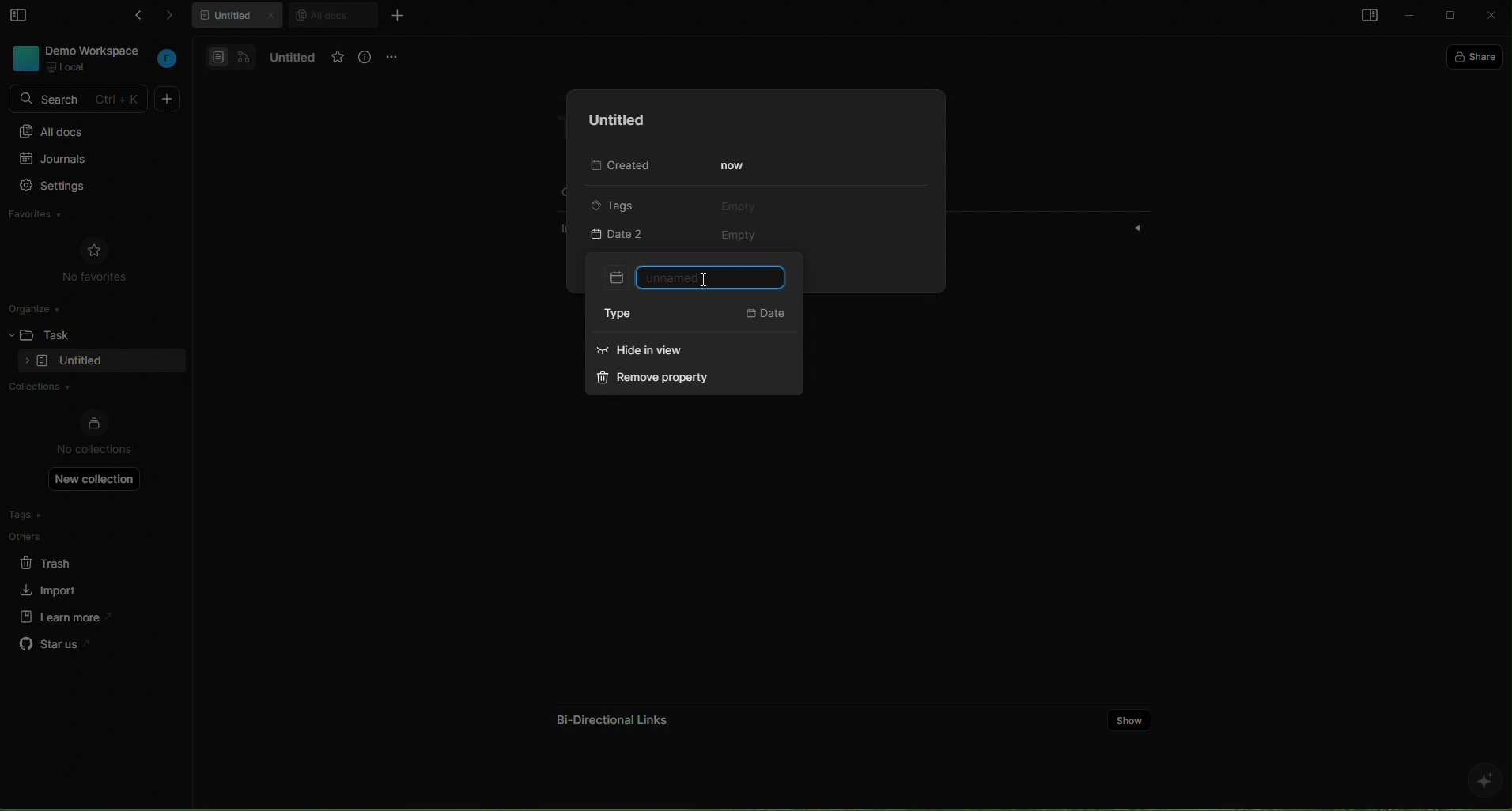 This screenshot has height=811, width=1512. Describe the element at coordinates (366, 58) in the screenshot. I see `info` at that location.